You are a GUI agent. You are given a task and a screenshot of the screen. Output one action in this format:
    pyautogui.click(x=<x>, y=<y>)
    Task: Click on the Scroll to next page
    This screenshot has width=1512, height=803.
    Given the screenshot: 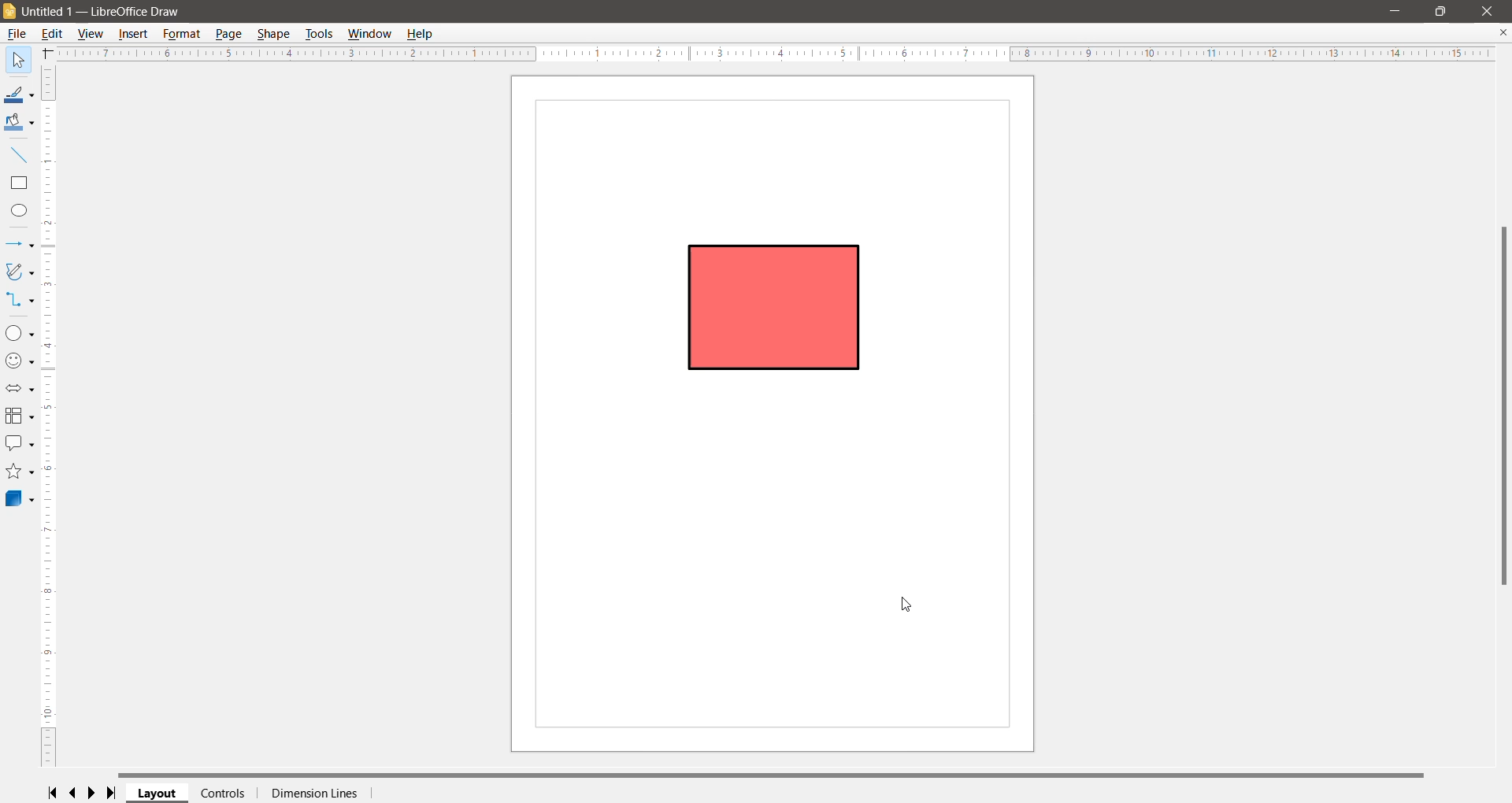 What is the action you would take?
    pyautogui.click(x=93, y=794)
    